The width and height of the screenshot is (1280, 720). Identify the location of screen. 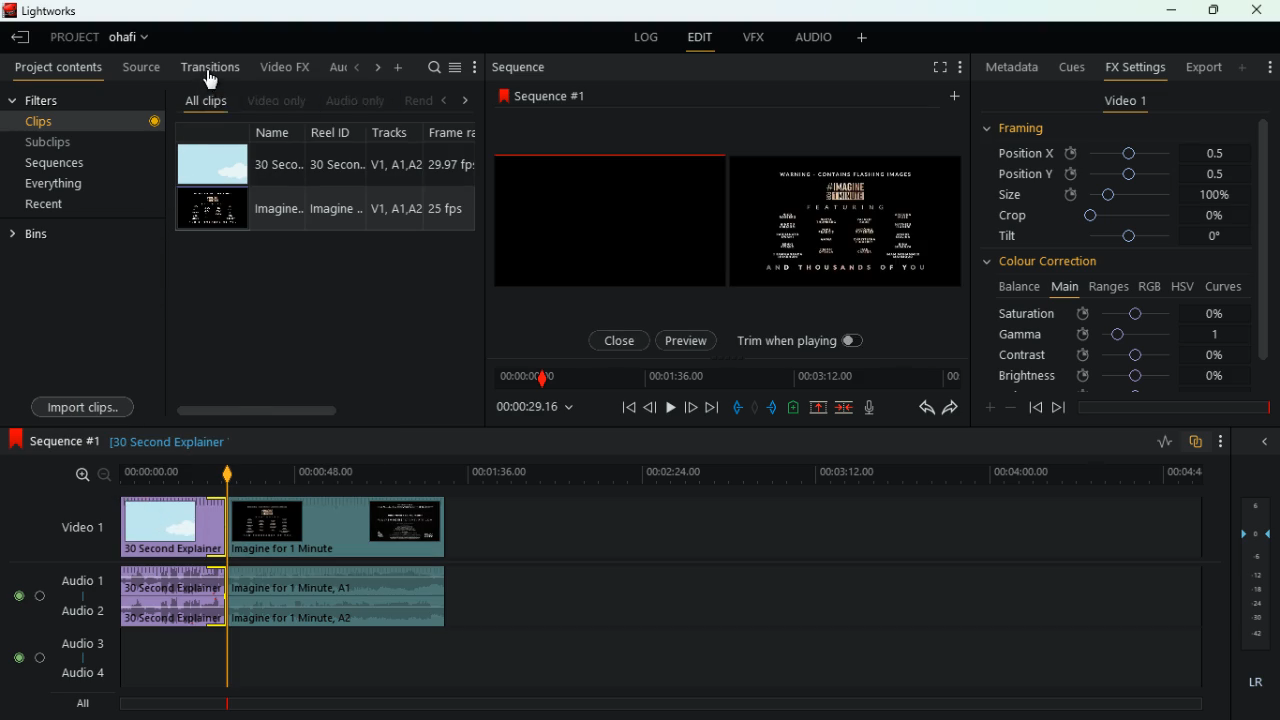
(727, 221).